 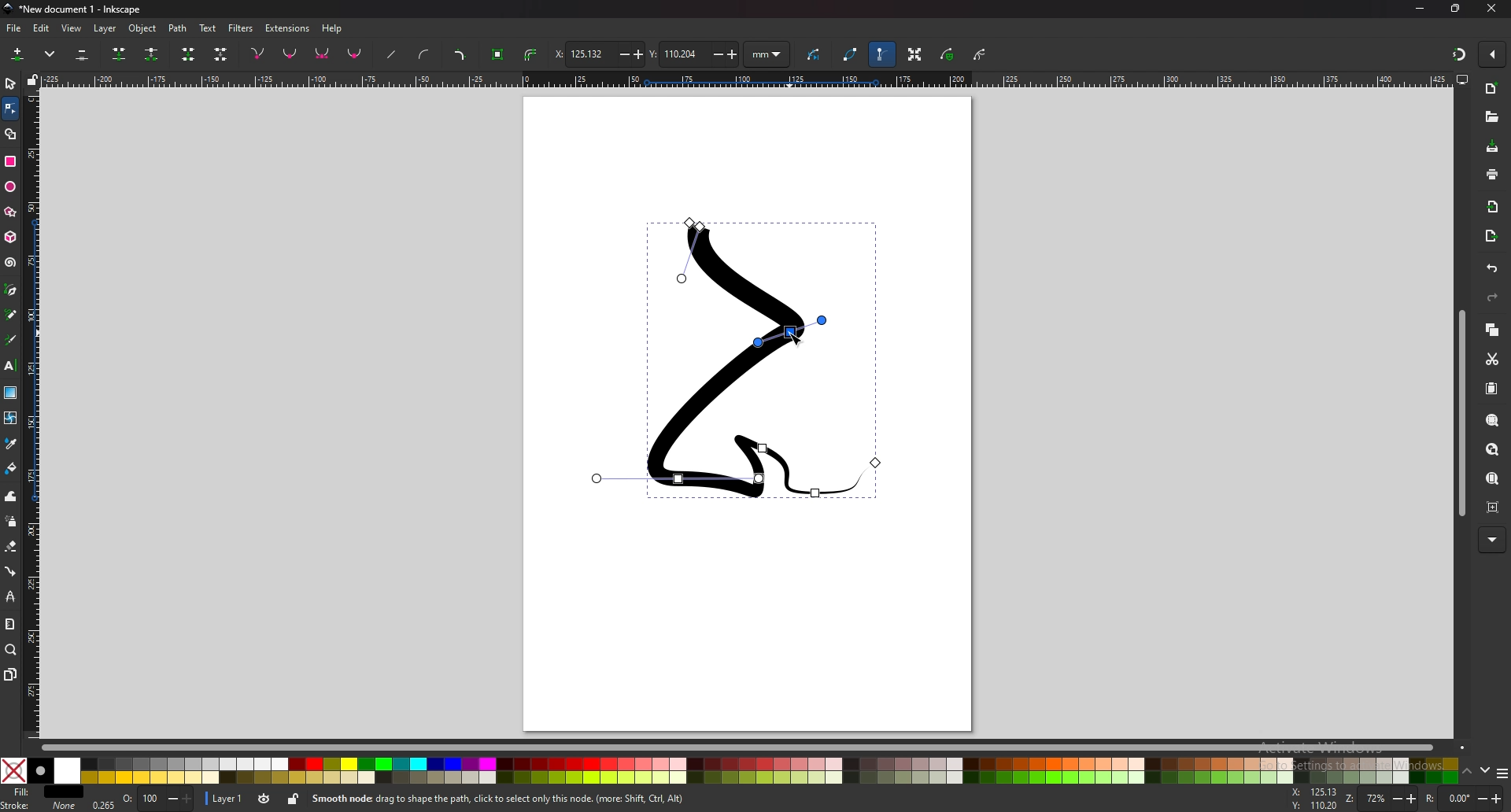 What do you see at coordinates (10, 625) in the screenshot?
I see `measure` at bounding box center [10, 625].